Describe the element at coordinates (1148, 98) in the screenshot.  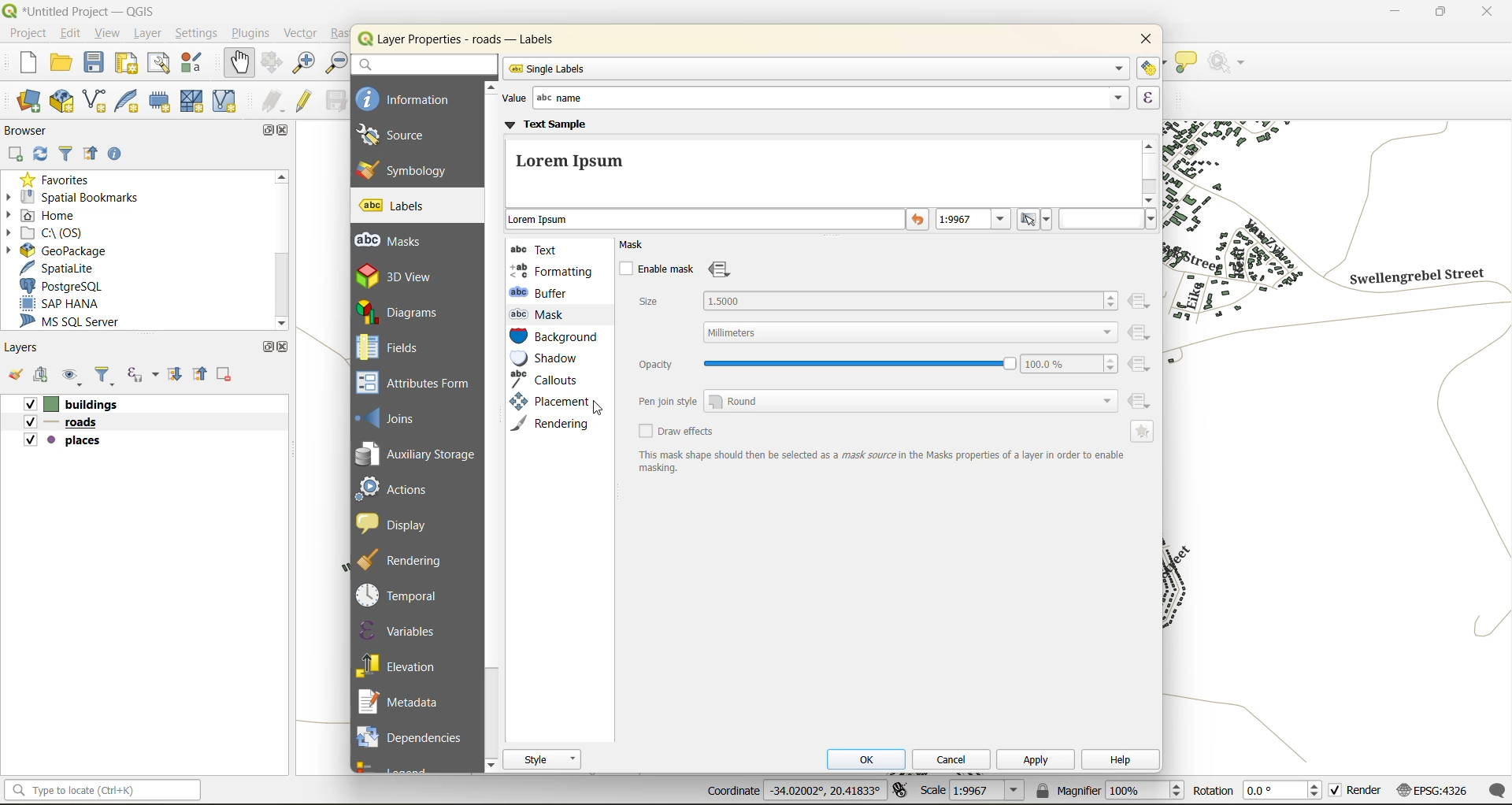
I see `expression builder` at that location.